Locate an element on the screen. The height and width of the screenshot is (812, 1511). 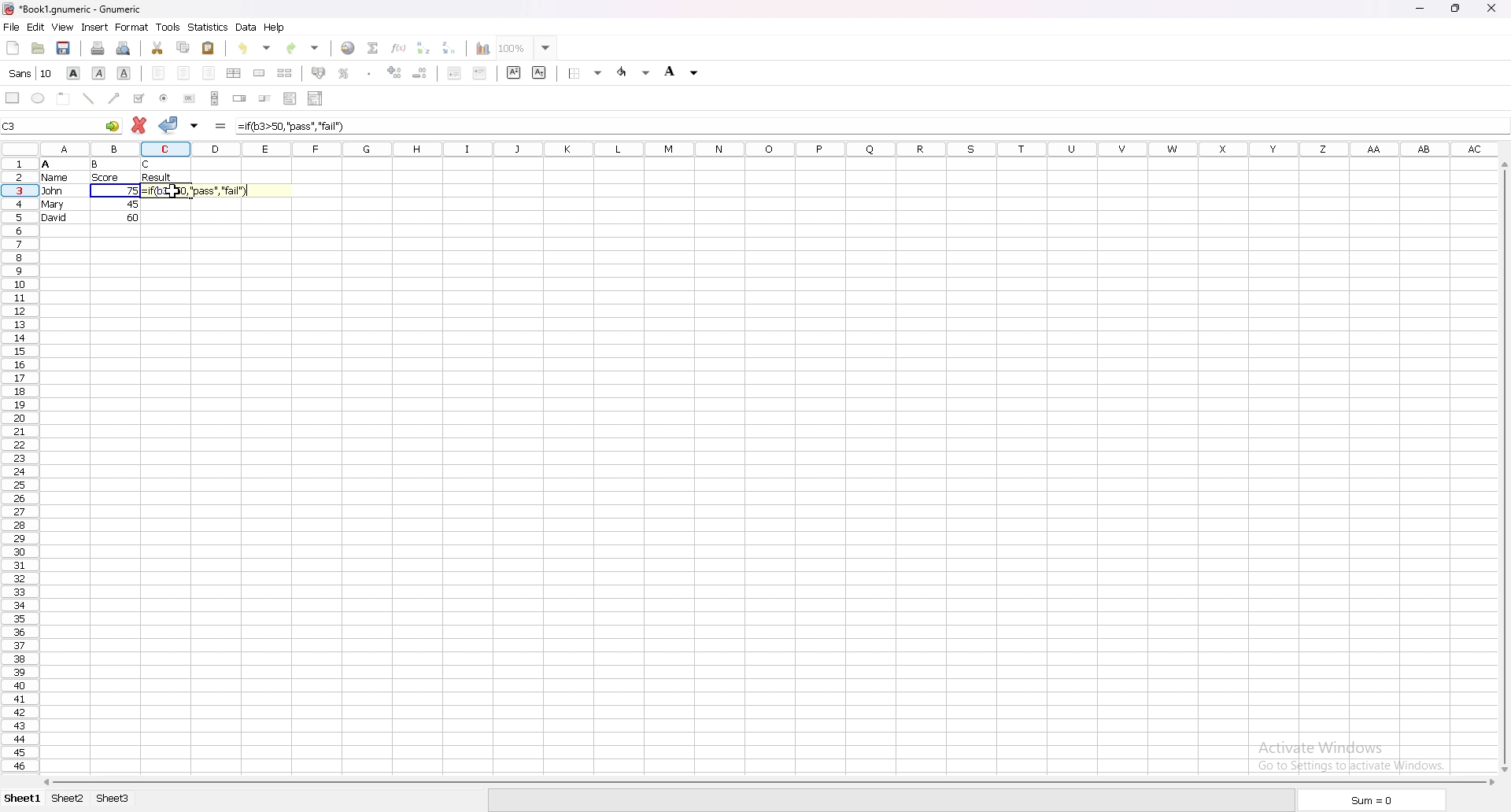
split merged cell is located at coordinates (286, 73).